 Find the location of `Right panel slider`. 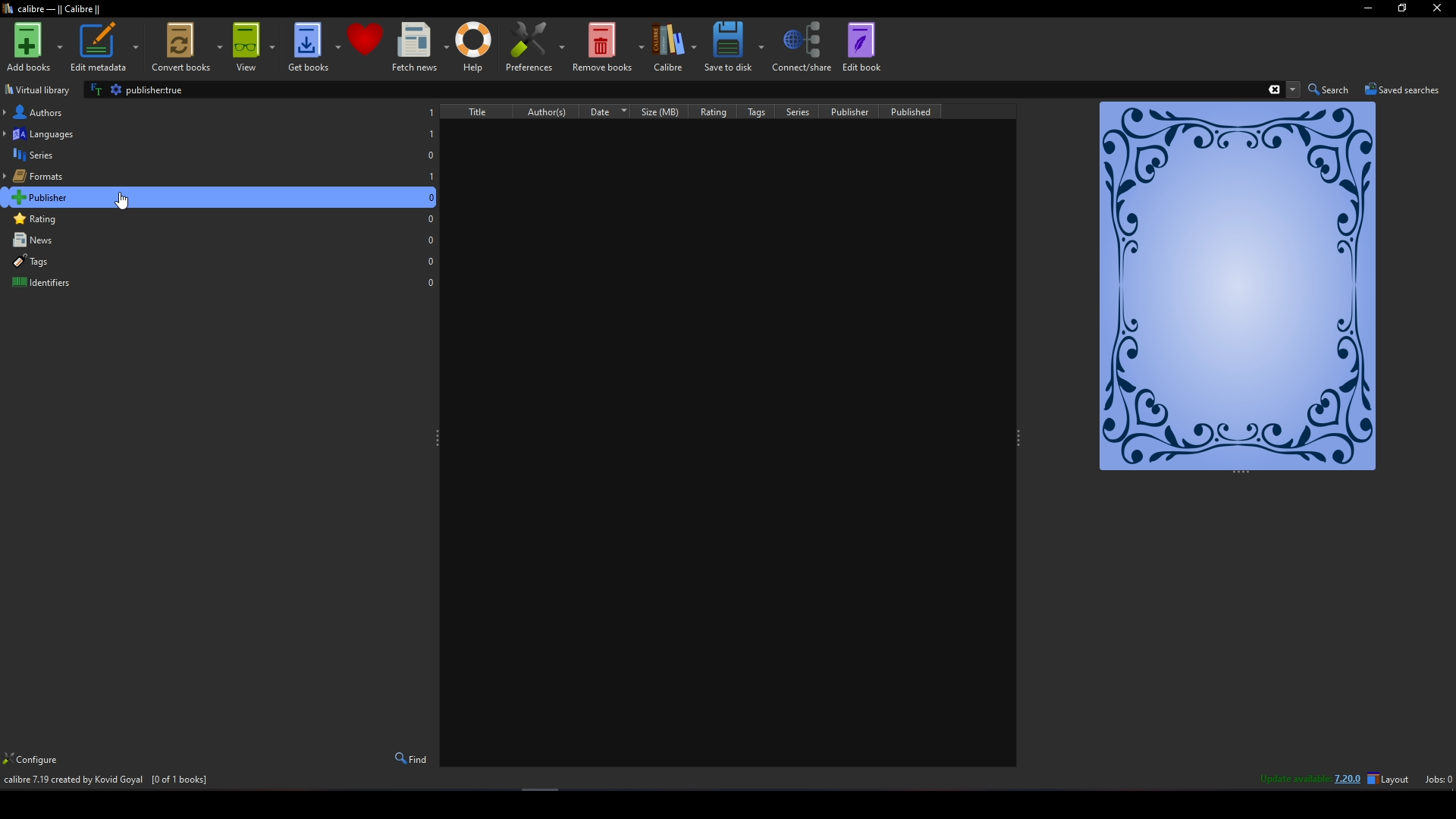

Right panel slider is located at coordinates (1020, 439).